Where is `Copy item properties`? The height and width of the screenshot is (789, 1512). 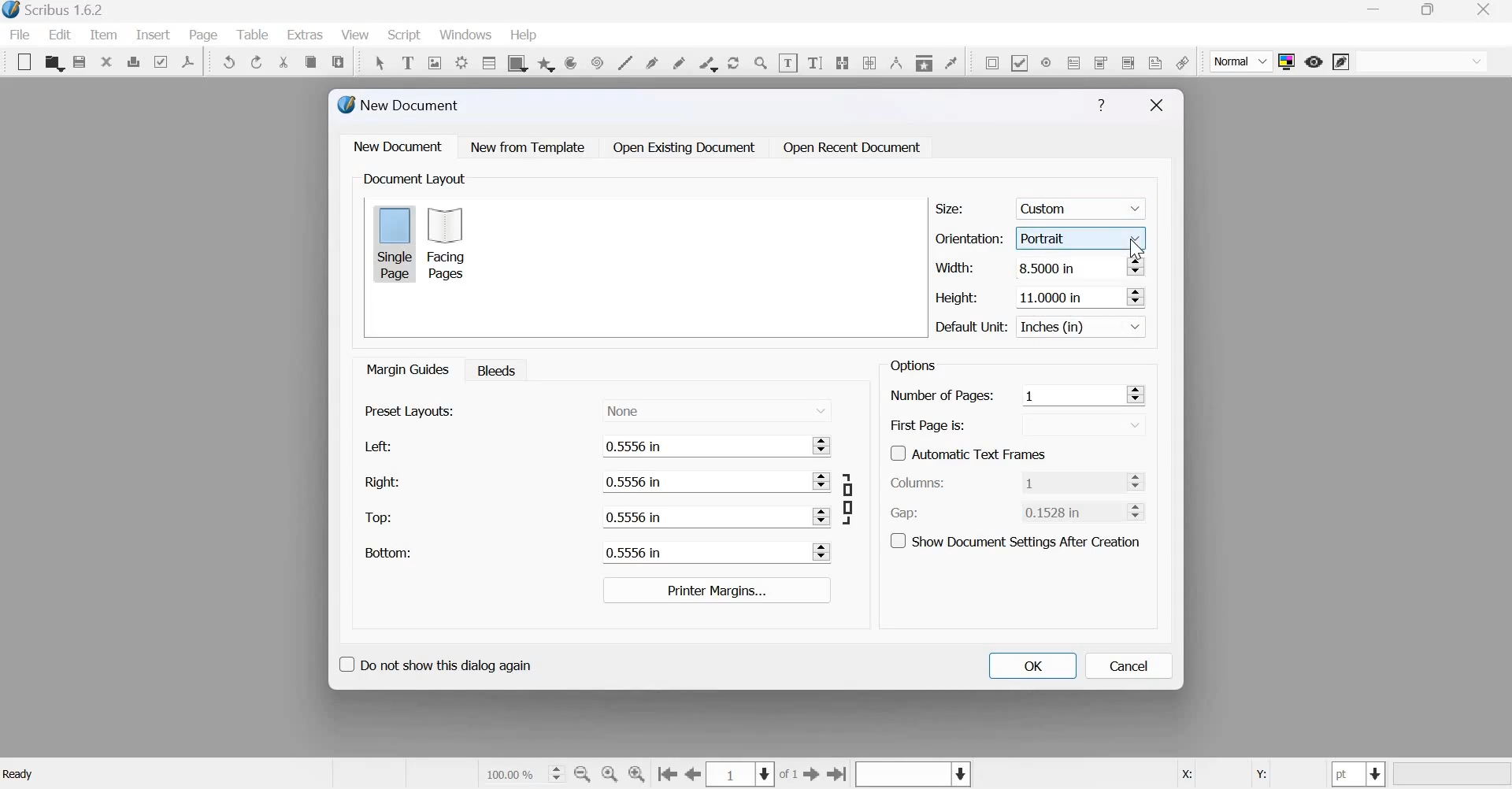 Copy item properties is located at coordinates (923, 61).